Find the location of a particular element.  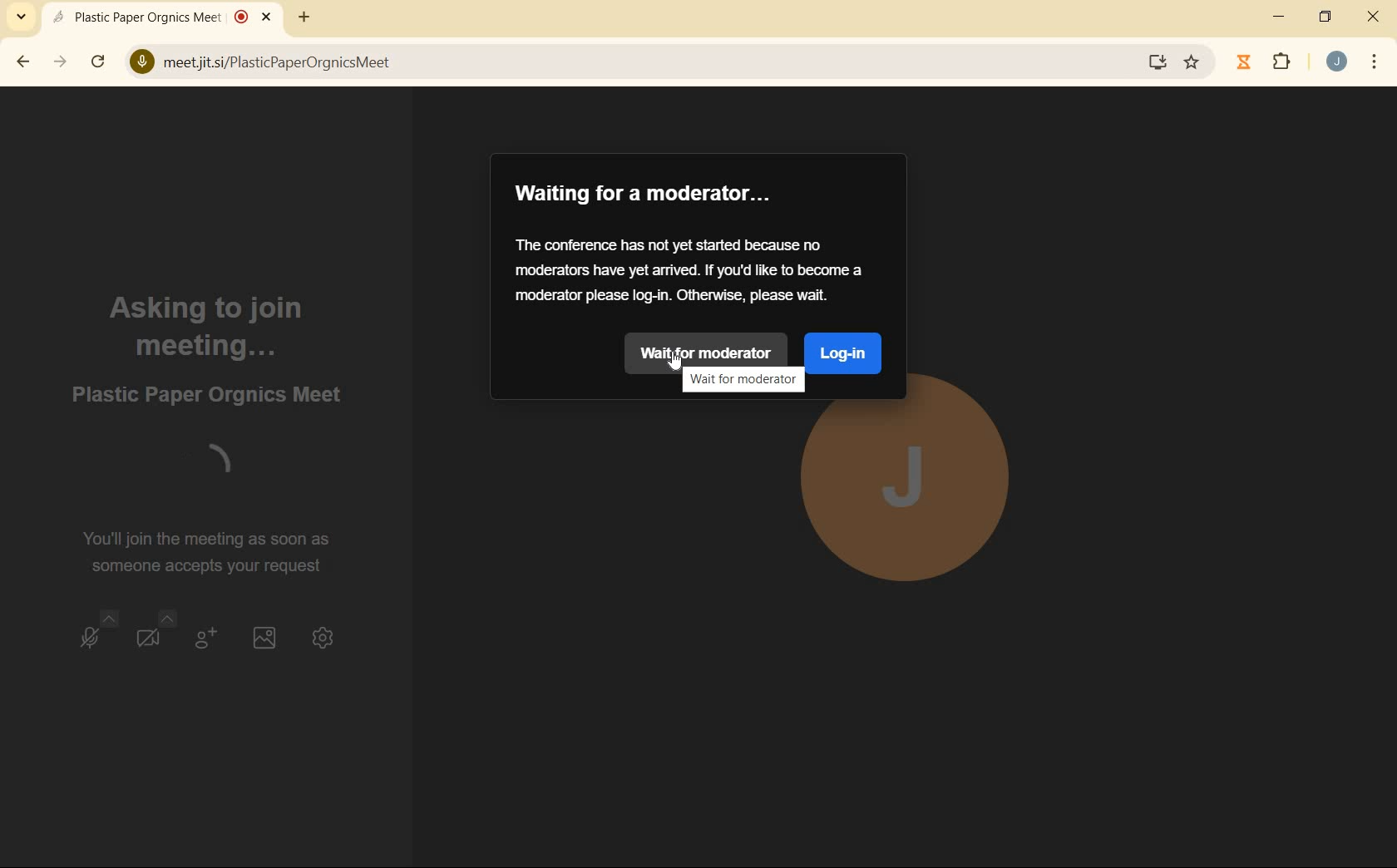

minimize is located at coordinates (1281, 17).